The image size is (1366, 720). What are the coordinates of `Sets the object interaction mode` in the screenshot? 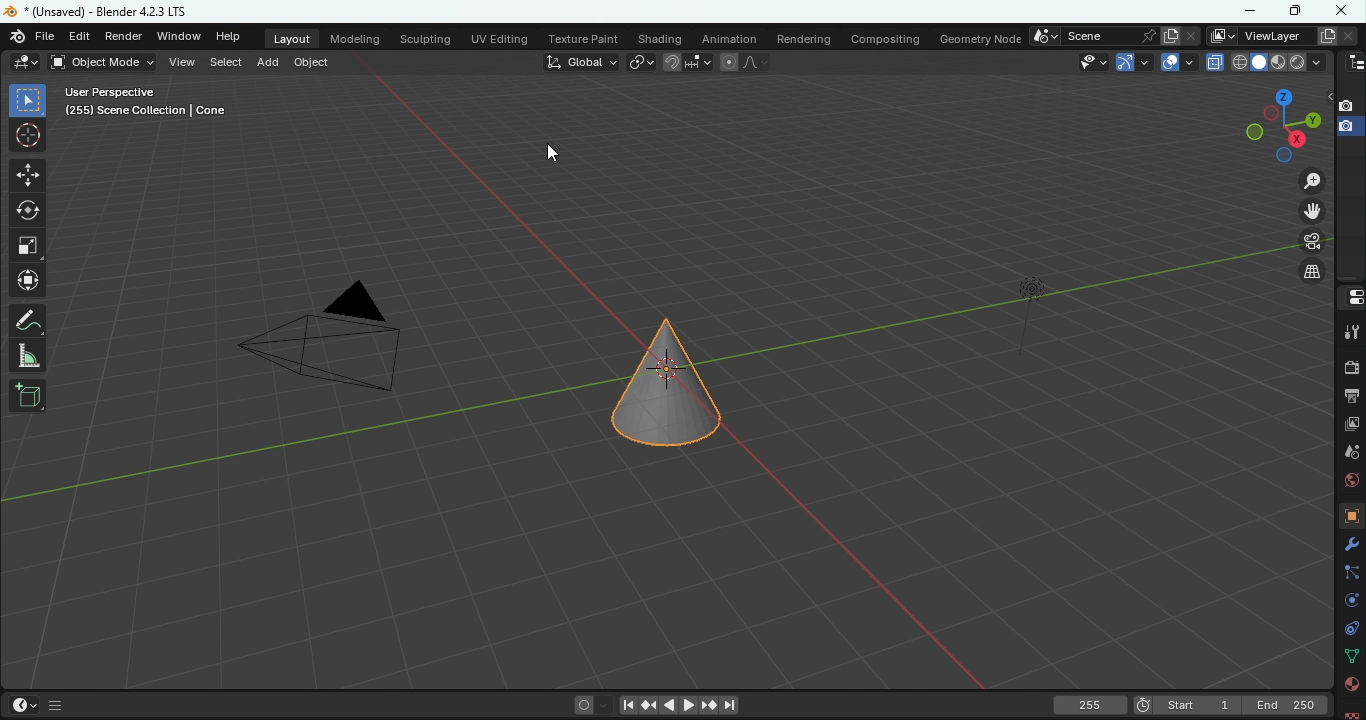 It's located at (100, 62).